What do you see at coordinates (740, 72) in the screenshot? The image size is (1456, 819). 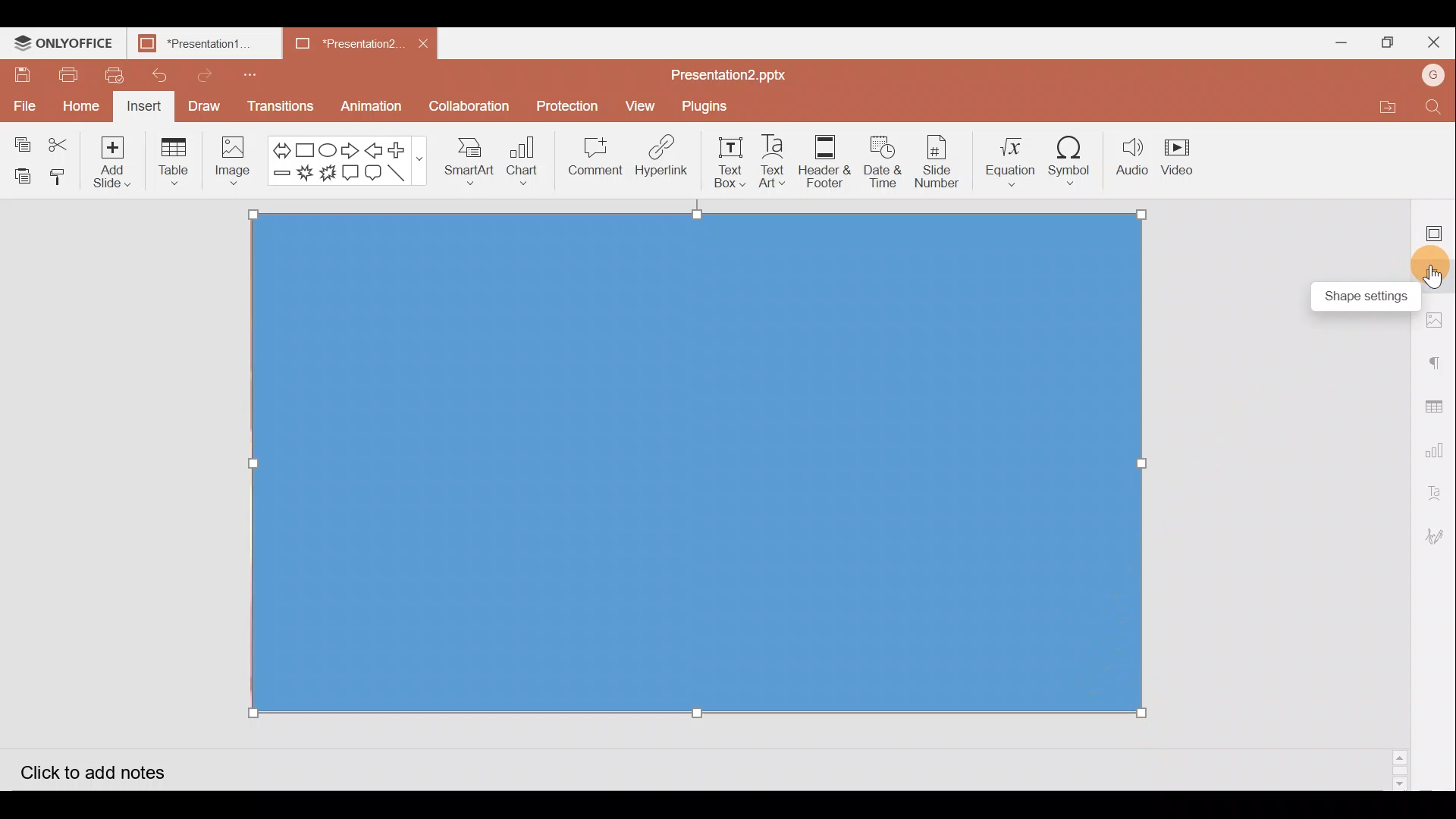 I see `Presentation2.pptx` at bounding box center [740, 72].